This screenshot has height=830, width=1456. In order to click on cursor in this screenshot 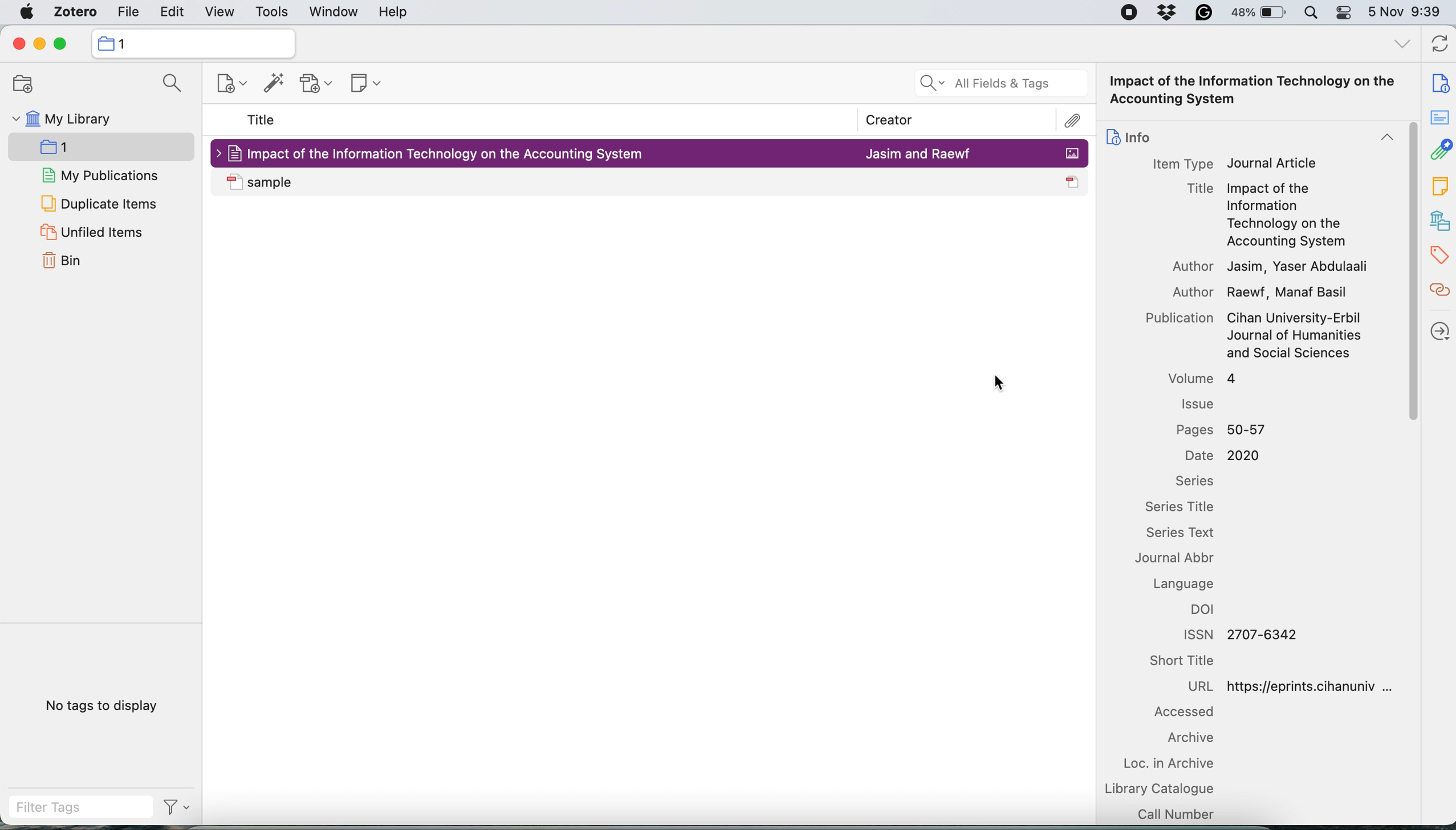, I will do `click(992, 382)`.